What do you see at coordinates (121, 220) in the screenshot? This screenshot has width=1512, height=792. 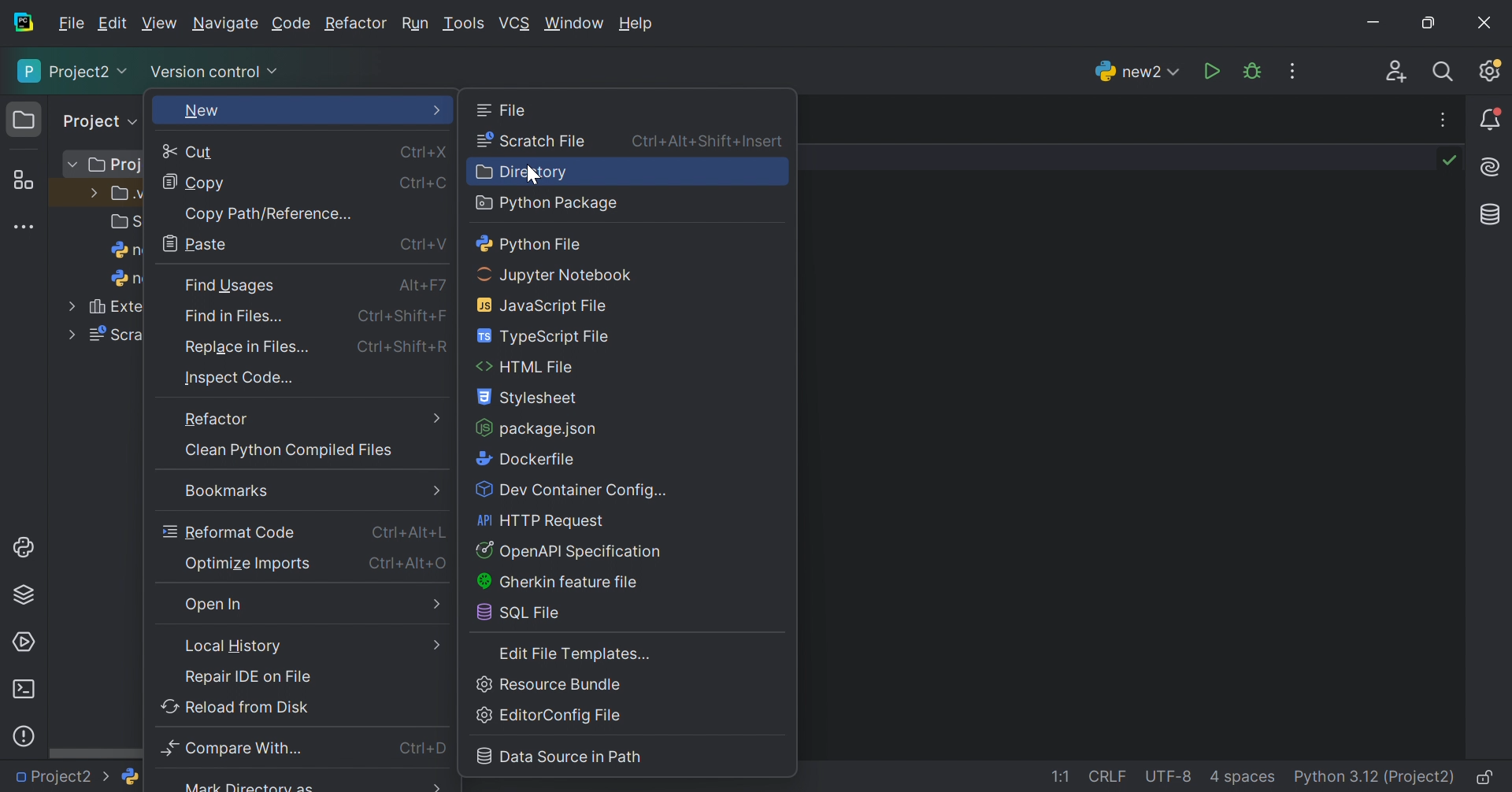 I see `S` at bounding box center [121, 220].